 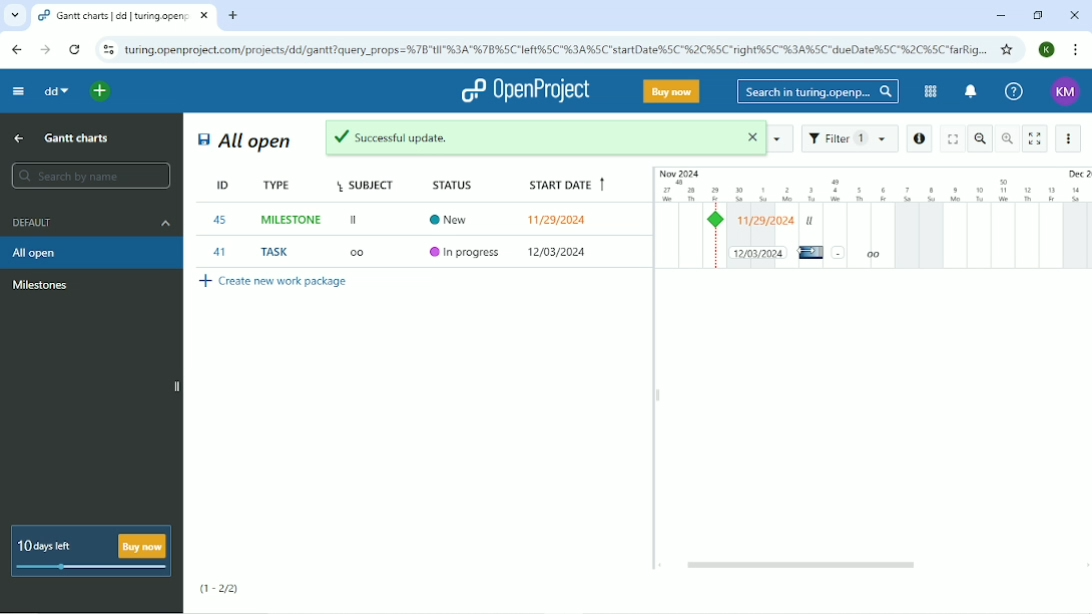 I want to click on Close, so click(x=1074, y=16).